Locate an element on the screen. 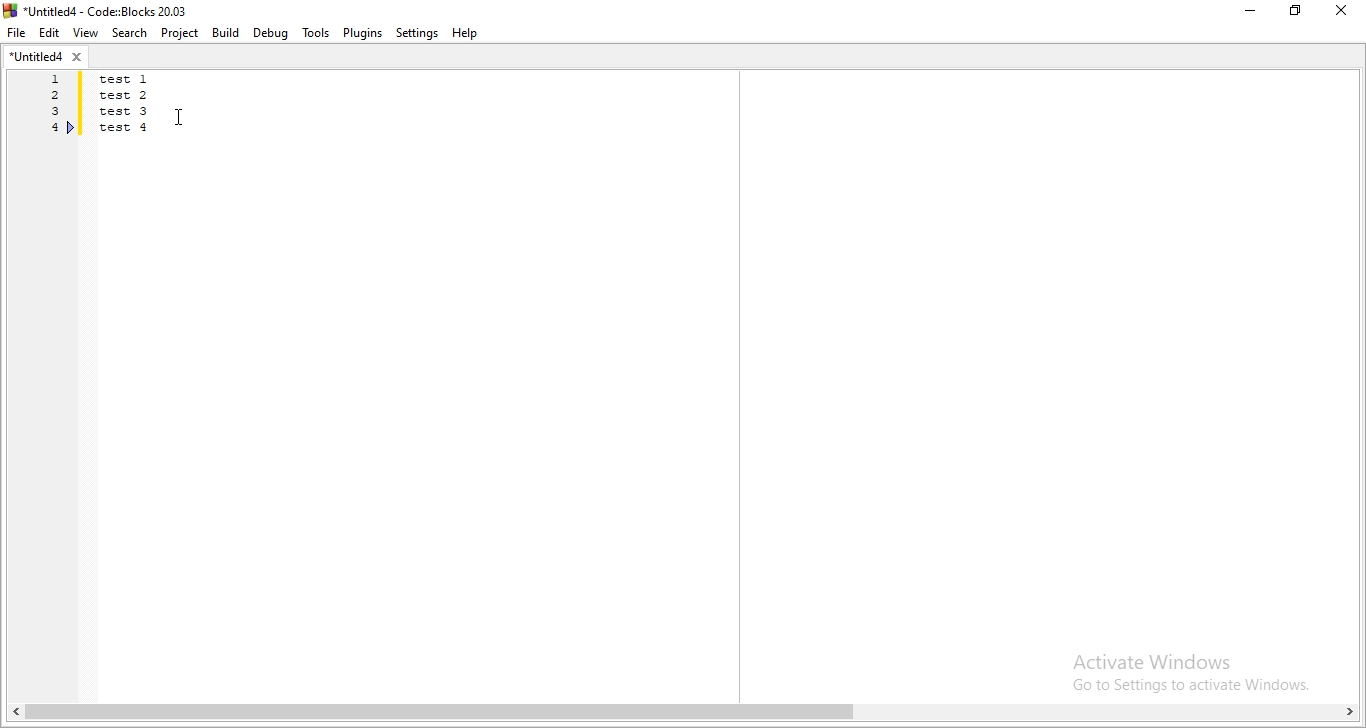 The height and width of the screenshot is (728, 1366). Edit  is located at coordinates (50, 33).